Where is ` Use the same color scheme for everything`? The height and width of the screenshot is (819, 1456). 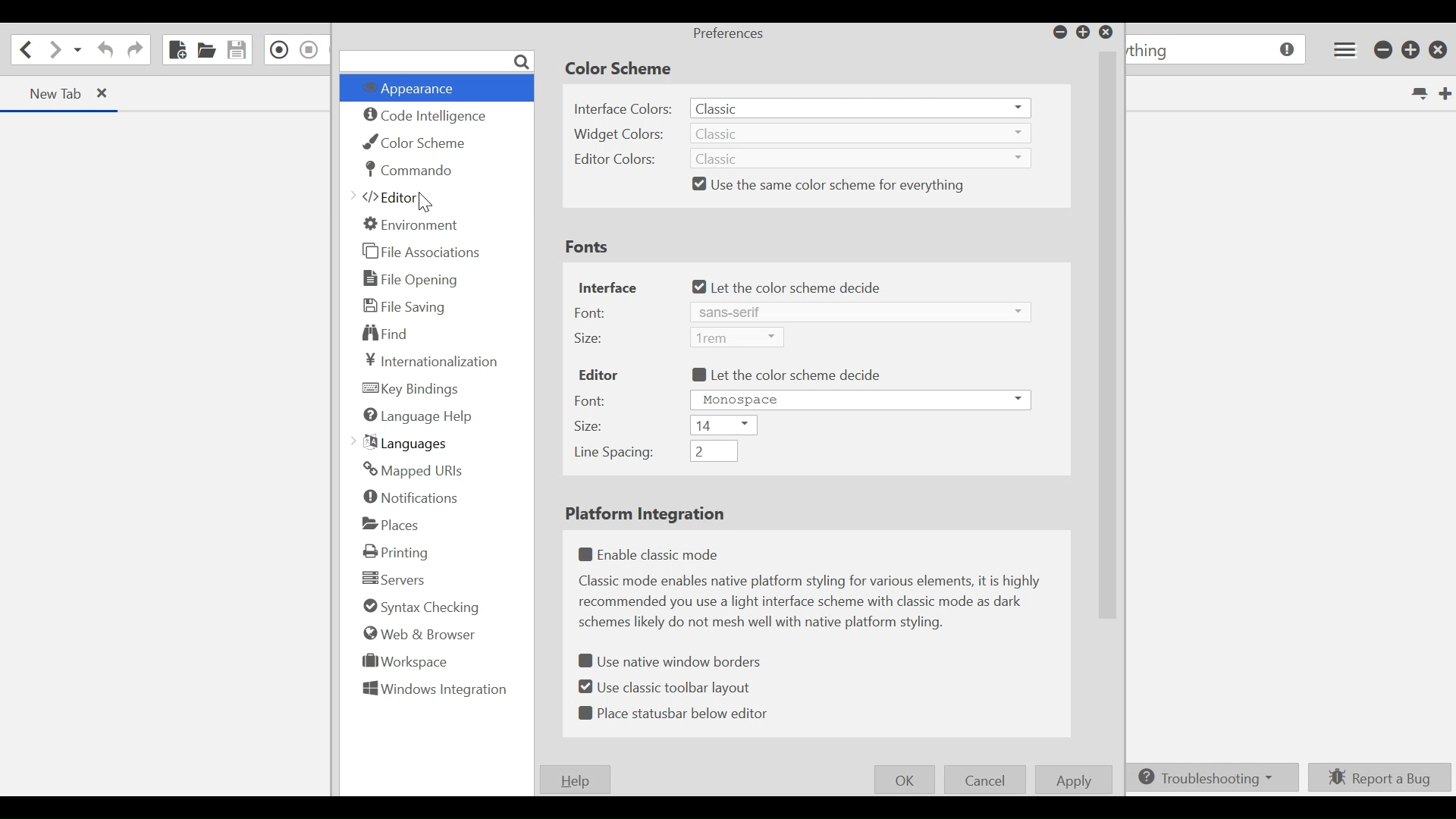  Use the same color scheme for everything is located at coordinates (840, 185).